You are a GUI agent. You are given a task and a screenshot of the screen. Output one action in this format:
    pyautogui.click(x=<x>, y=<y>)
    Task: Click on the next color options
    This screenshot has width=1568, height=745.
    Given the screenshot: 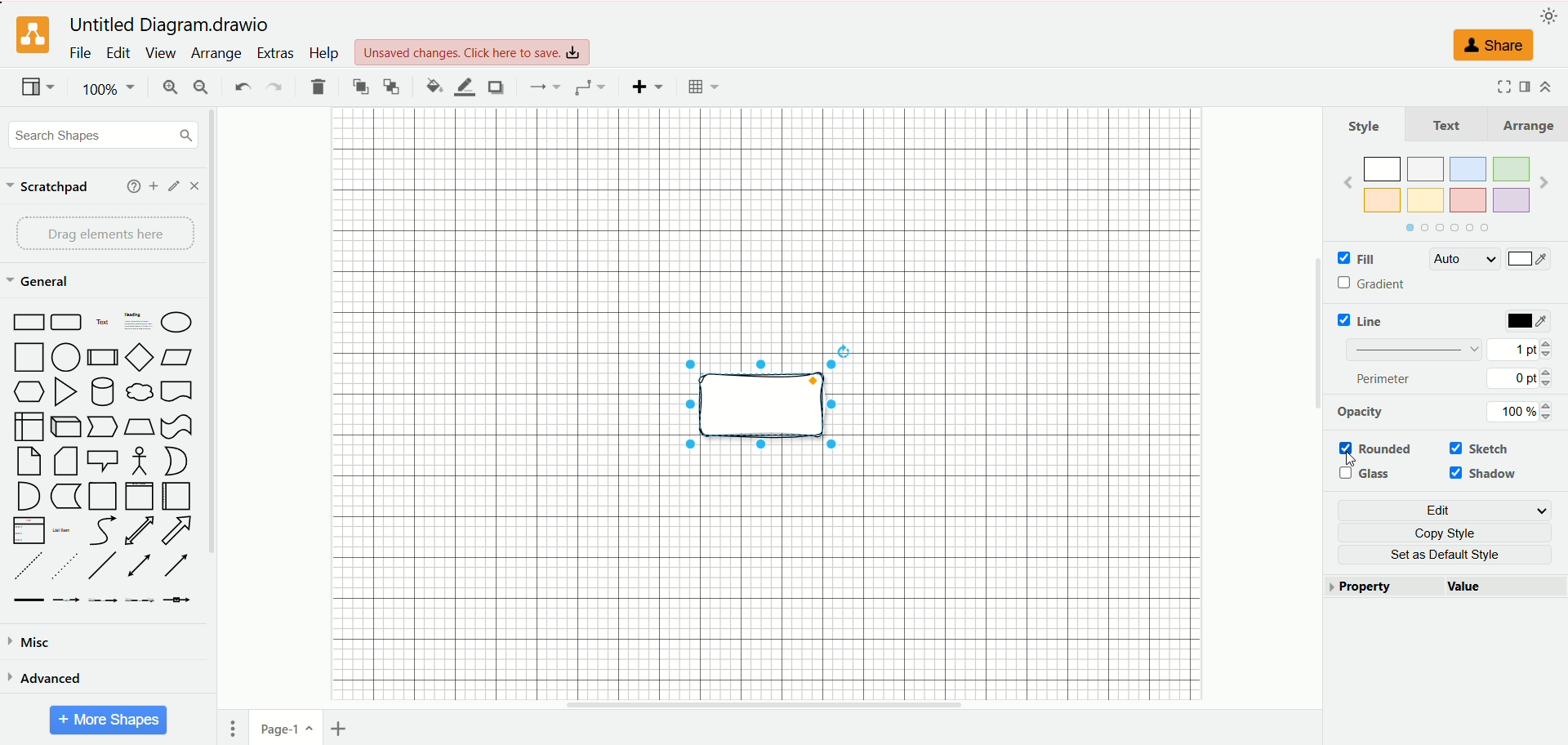 What is the action you would take?
    pyautogui.click(x=1544, y=185)
    